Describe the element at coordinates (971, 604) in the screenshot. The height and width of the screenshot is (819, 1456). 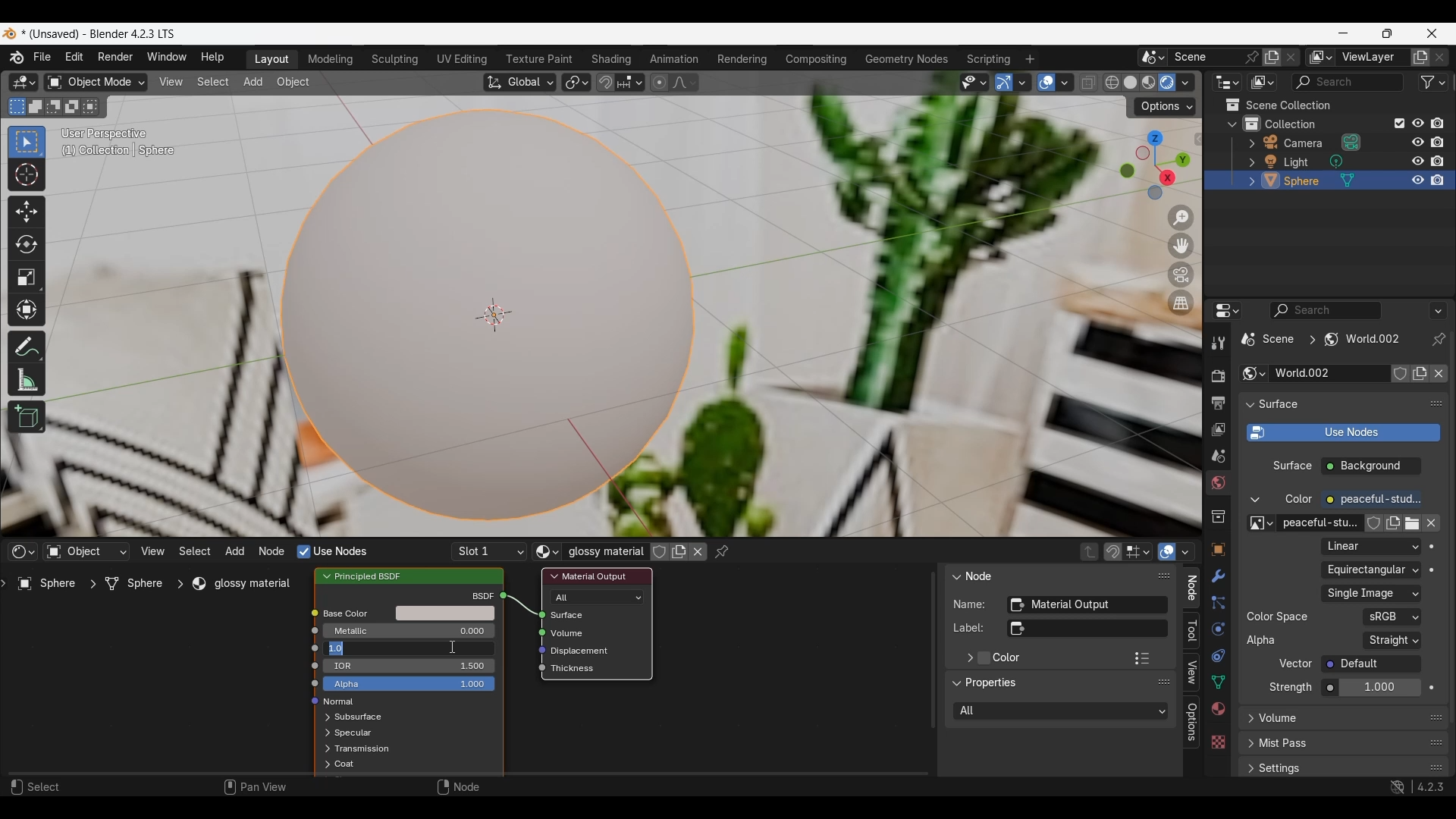
I see `Name:` at that location.